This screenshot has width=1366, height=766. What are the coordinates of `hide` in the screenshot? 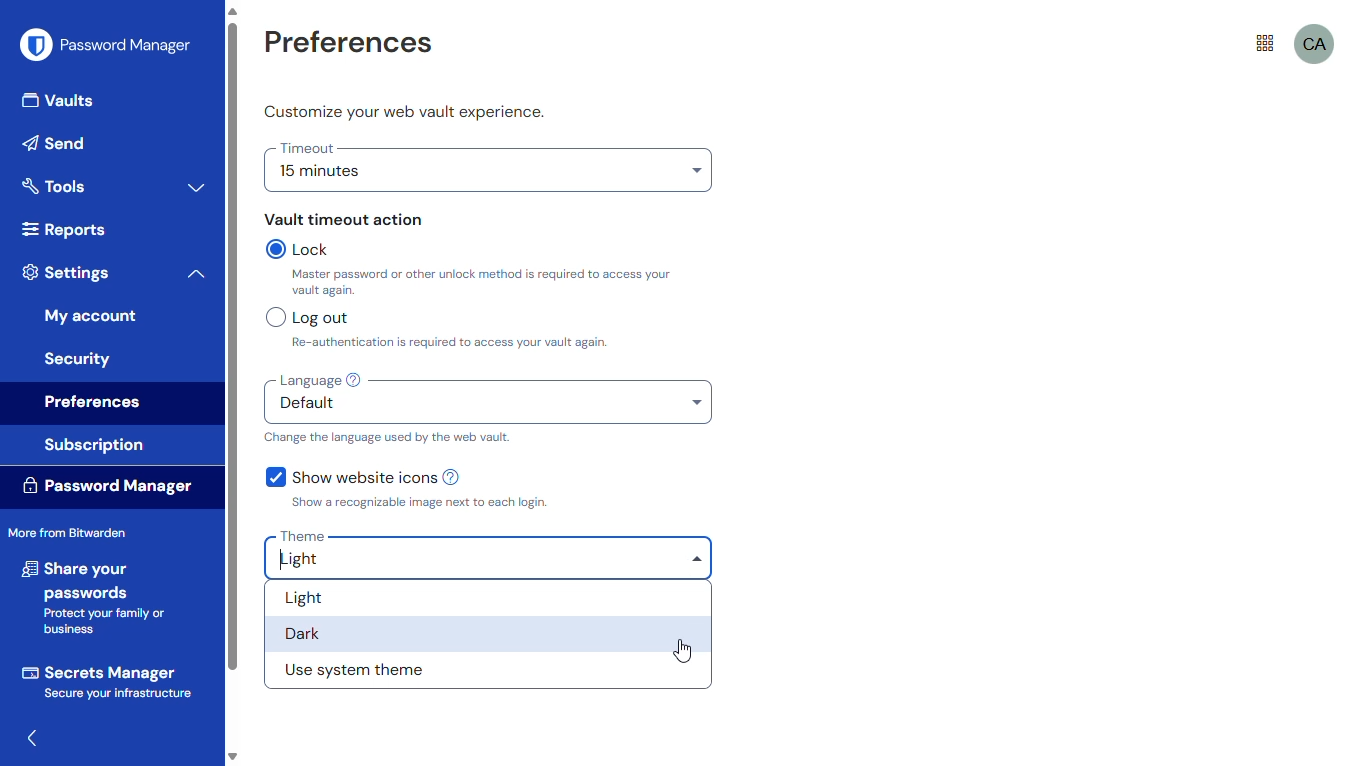 It's located at (33, 738).